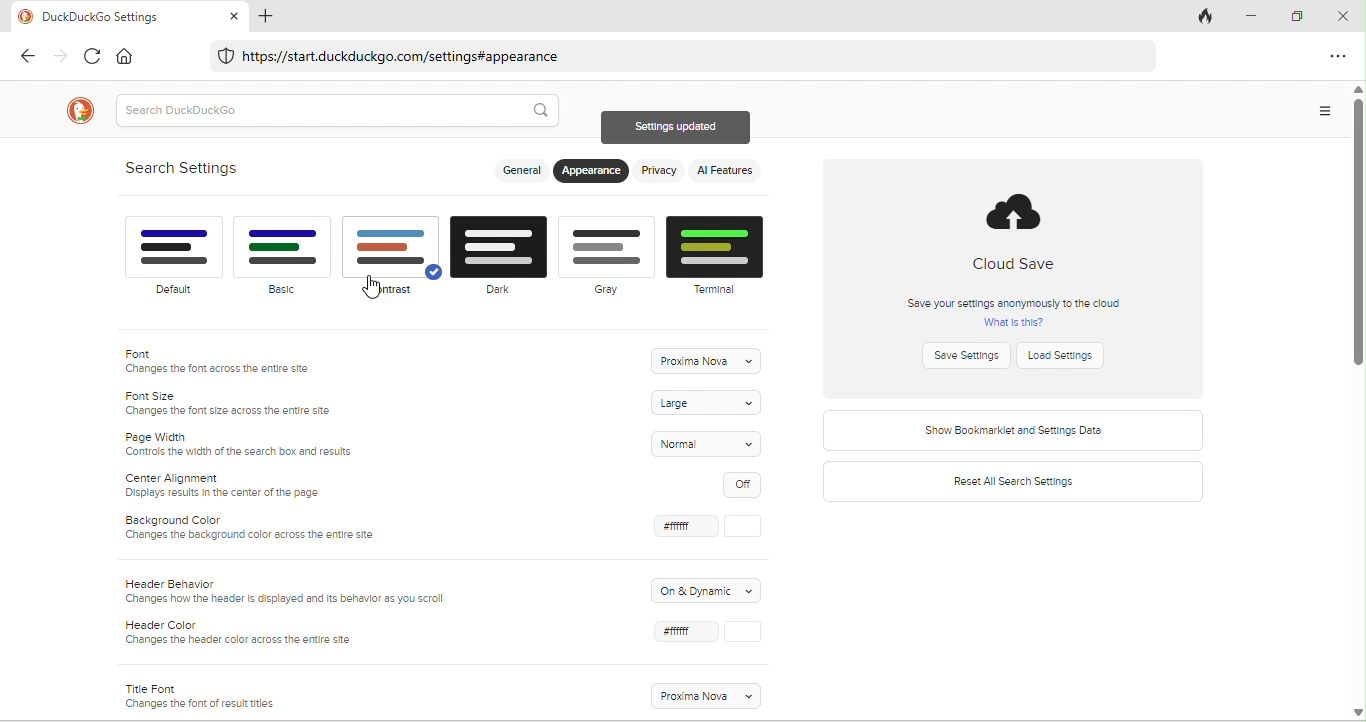  Describe the element at coordinates (705, 636) in the screenshot. I see `161616` at that location.